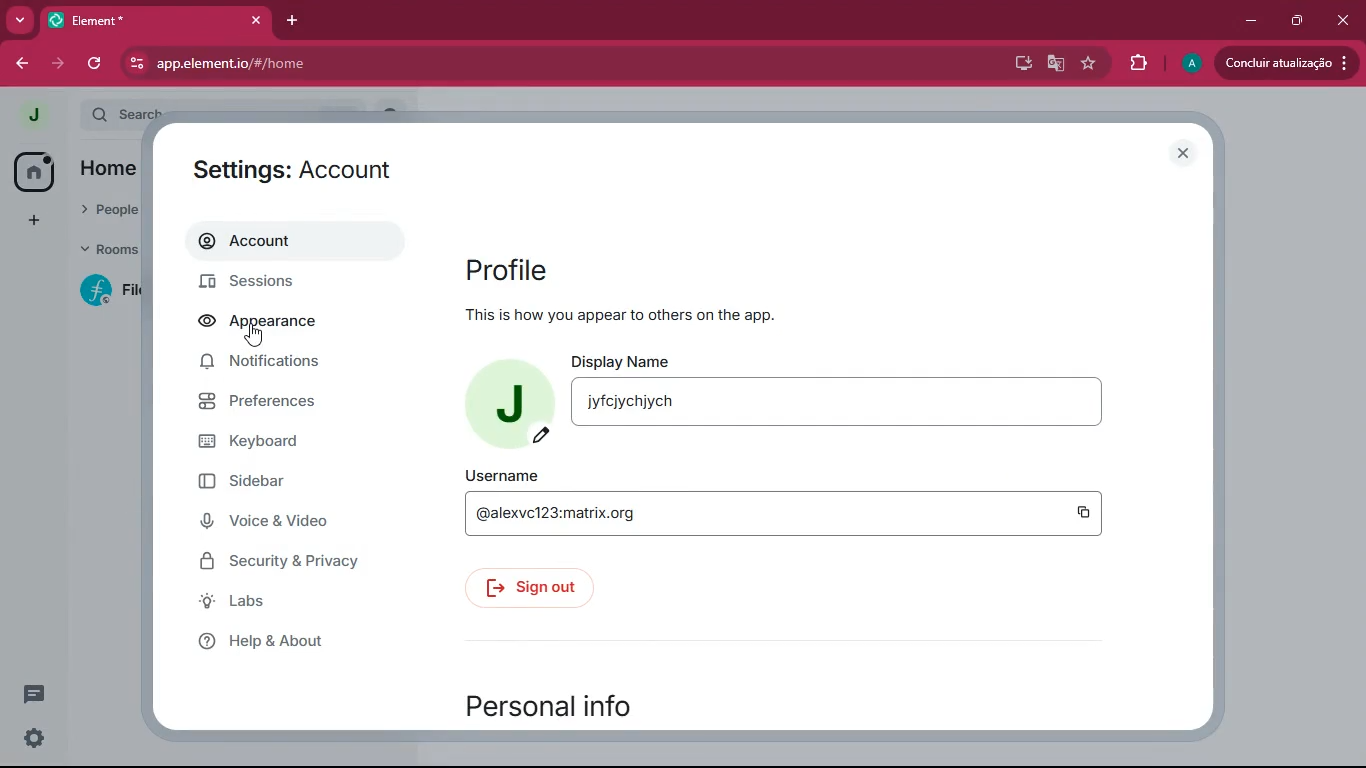  What do you see at coordinates (96, 63) in the screenshot?
I see `refresh` at bounding box center [96, 63].